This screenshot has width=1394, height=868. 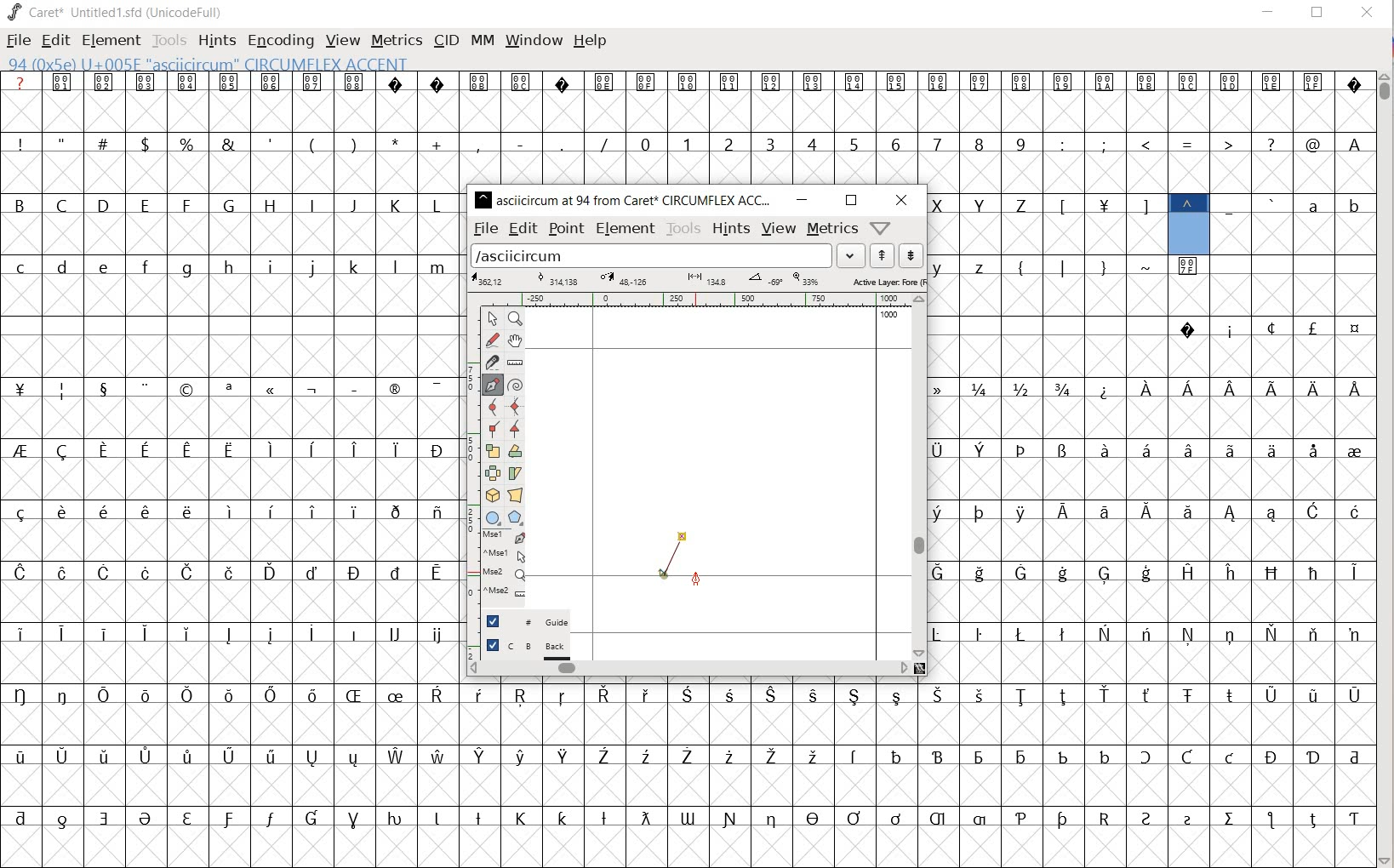 What do you see at coordinates (850, 201) in the screenshot?
I see `restore down` at bounding box center [850, 201].